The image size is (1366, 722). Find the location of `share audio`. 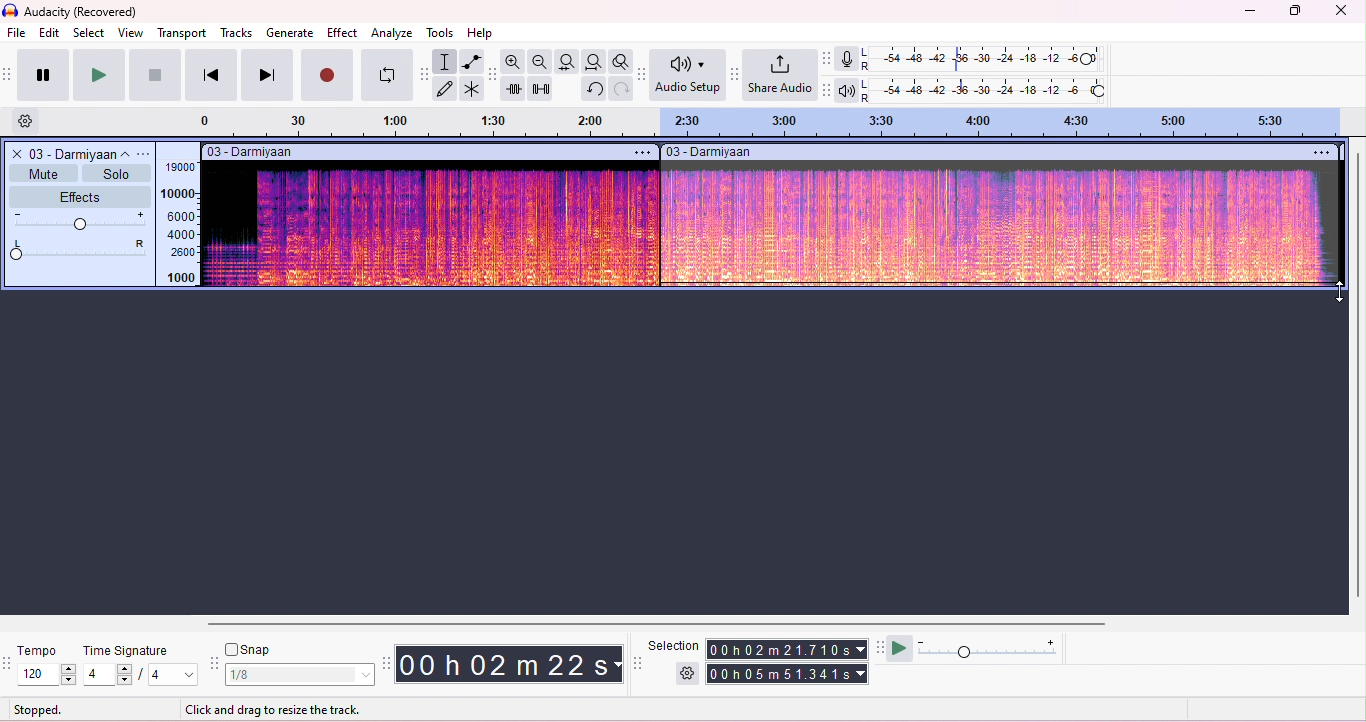

share audio is located at coordinates (782, 76).